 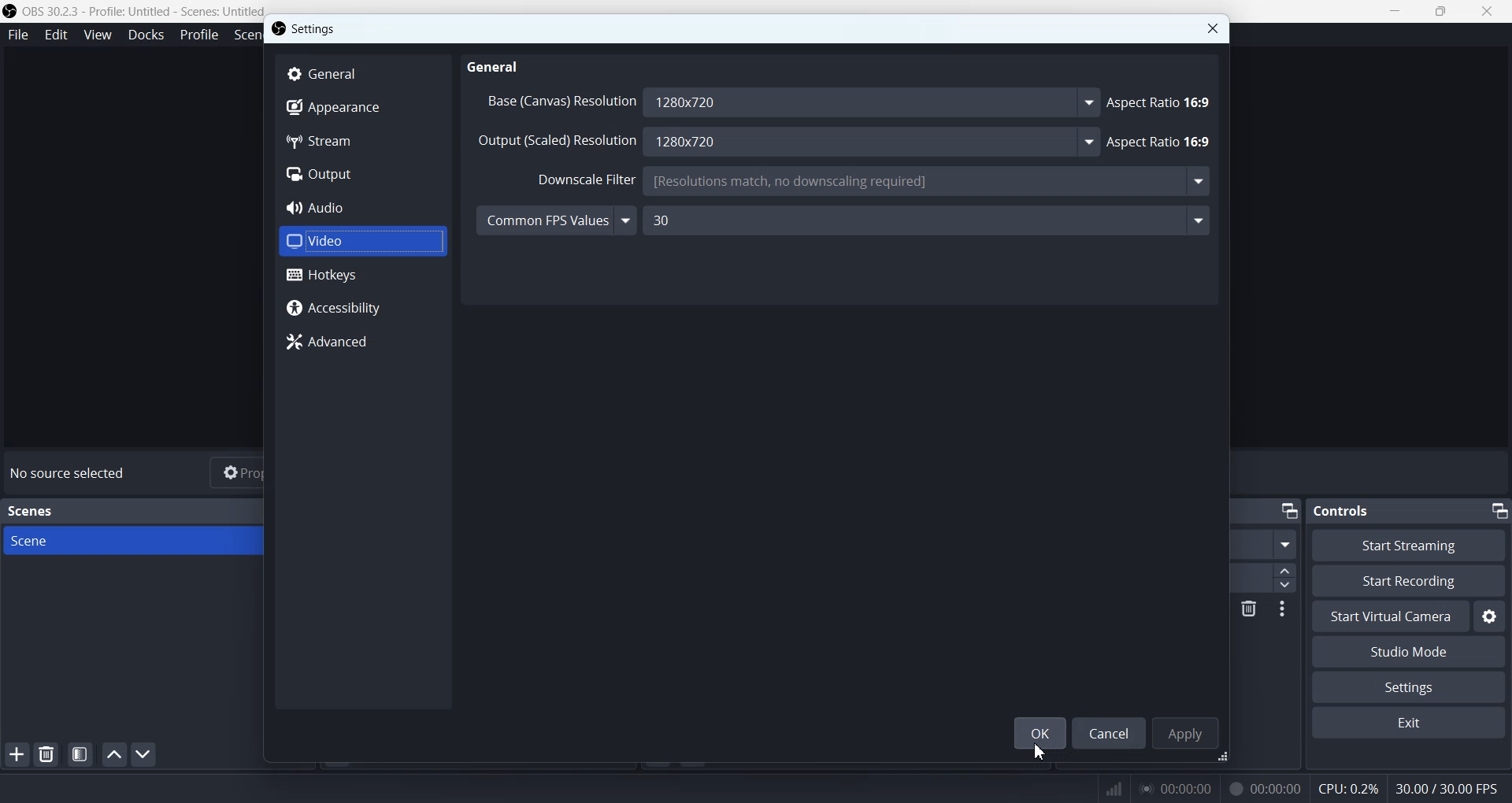 What do you see at coordinates (306, 28) in the screenshot?
I see `Settings` at bounding box center [306, 28].